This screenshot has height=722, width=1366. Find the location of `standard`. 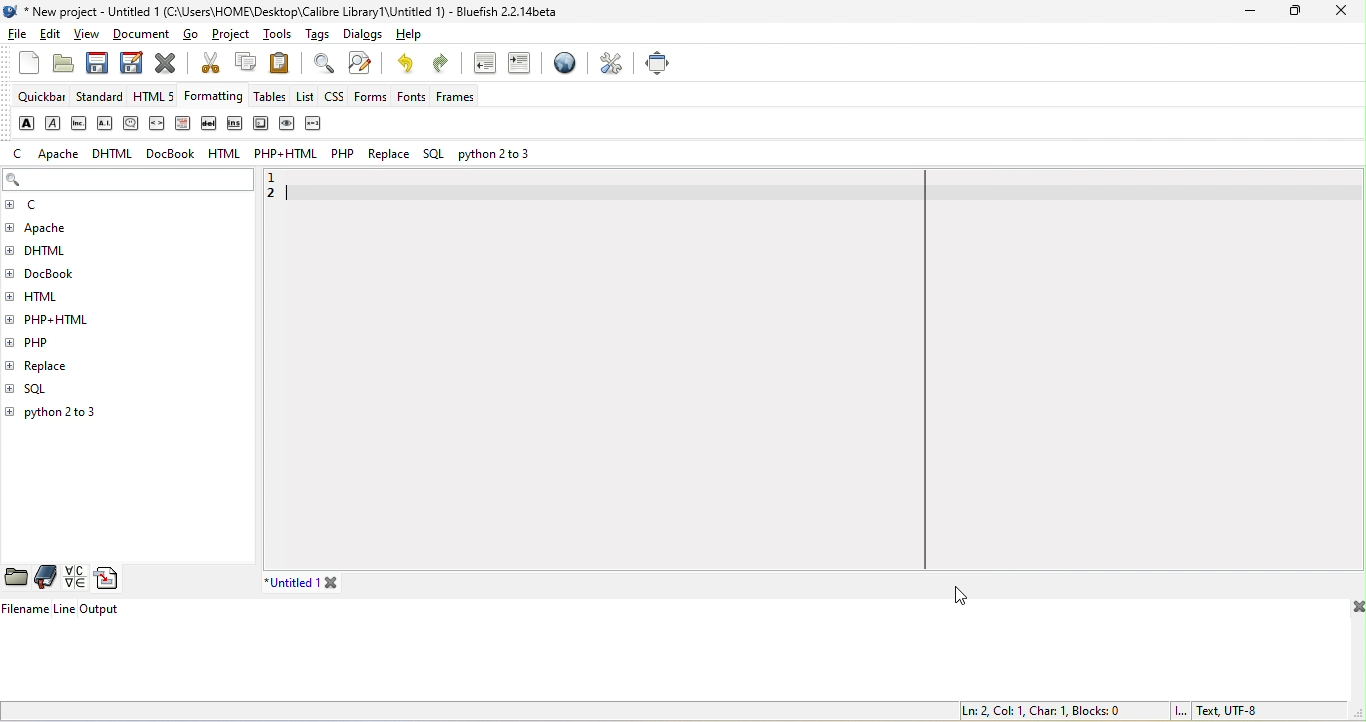

standard is located at coordinates (102, 96).